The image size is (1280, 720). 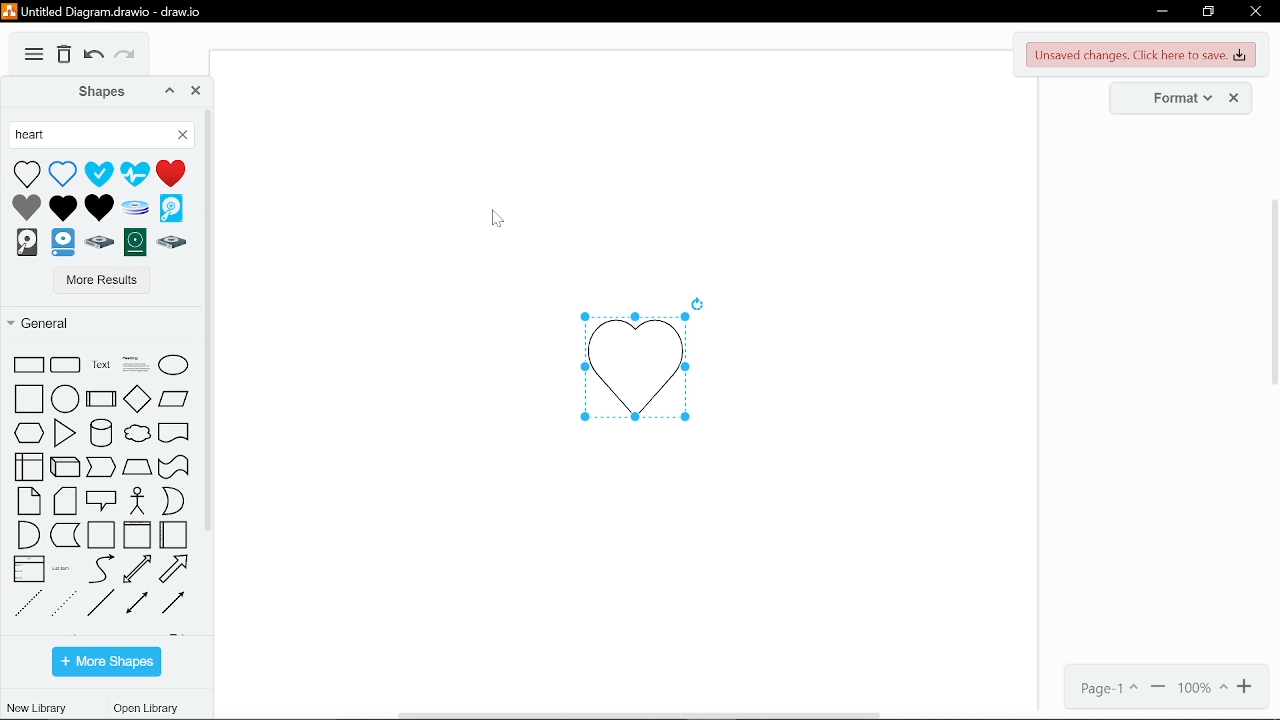 I want to click on undo, so click(x=94, y=57).